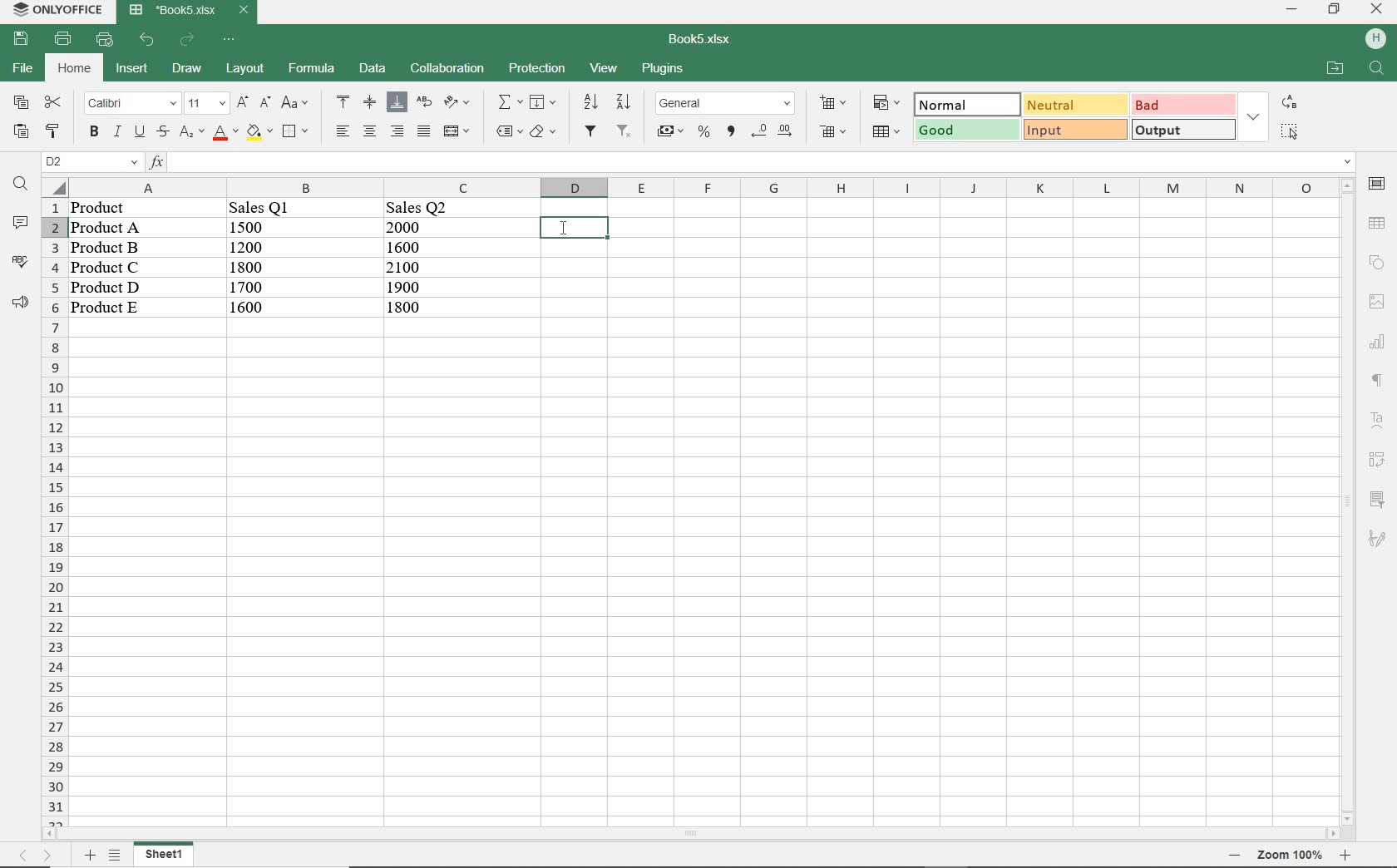 The width and height of the screenshot is (1397, 868). What do you see at coordinates (76, 70) in the screenshot?
I see `home` at bounding box center [76, 70].